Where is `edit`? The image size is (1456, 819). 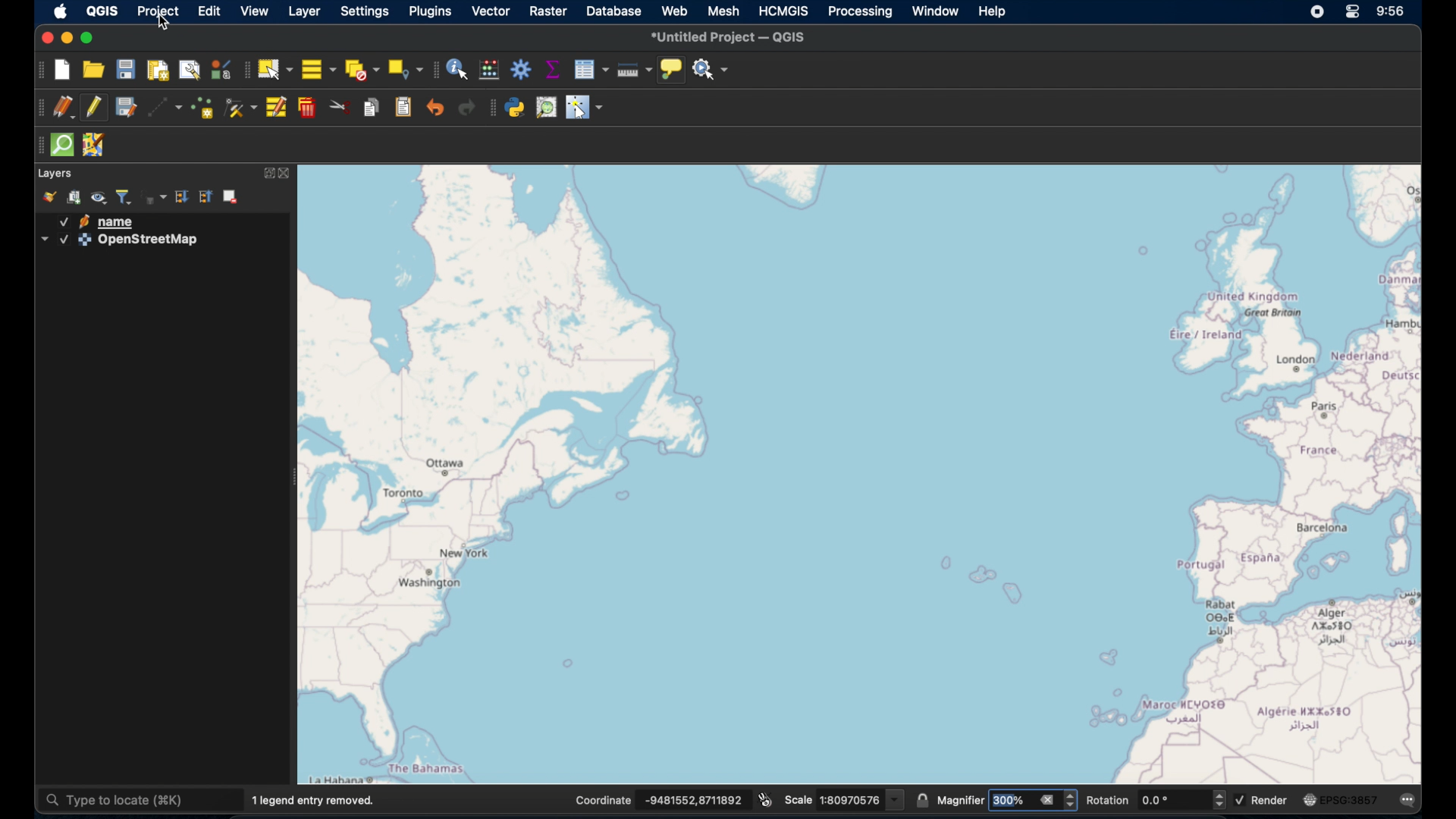
edit is located at coordinates (210, 11).